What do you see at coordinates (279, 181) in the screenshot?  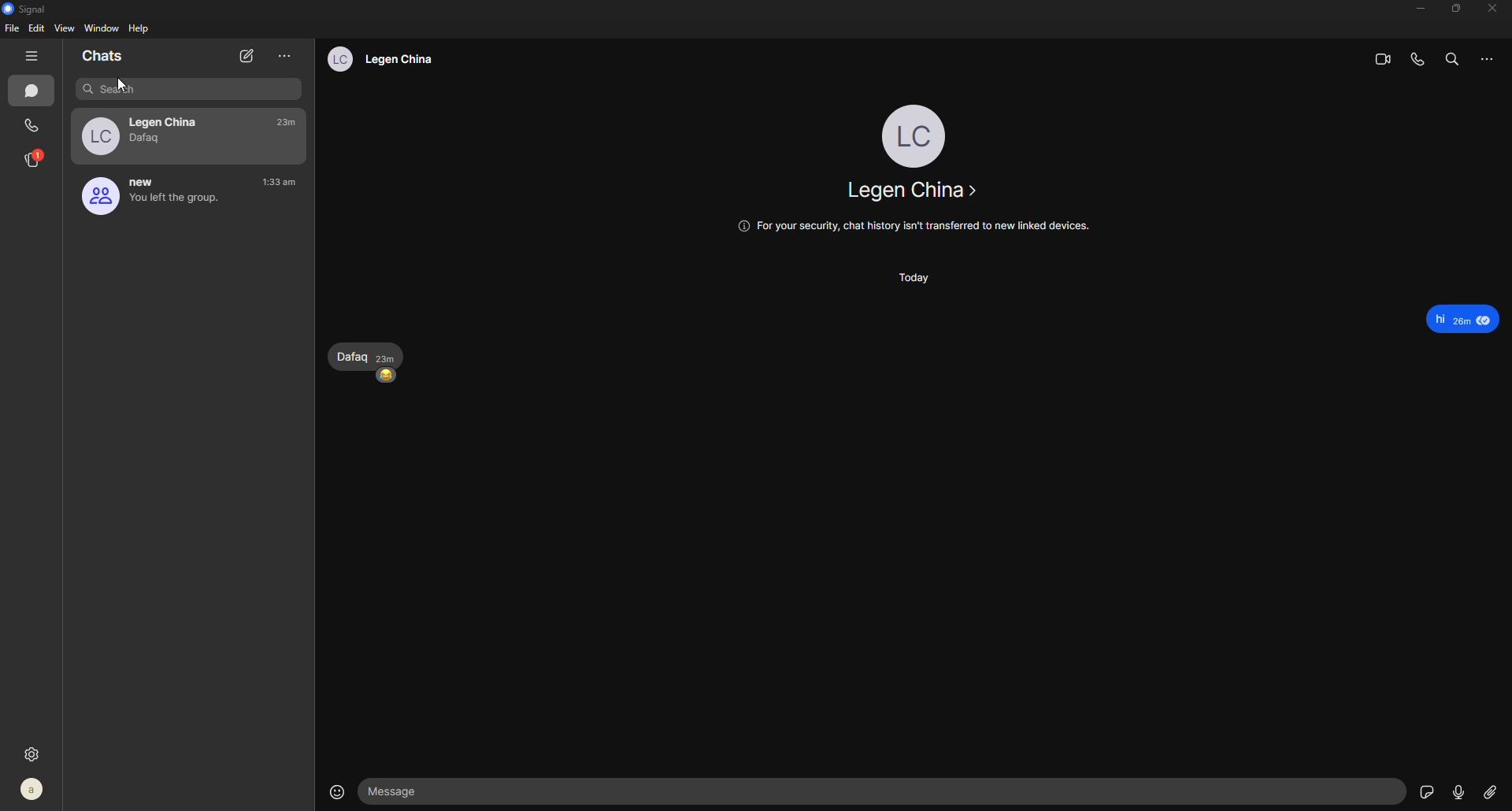 I see `time- 1:33am` at bounding box center [279, 181].